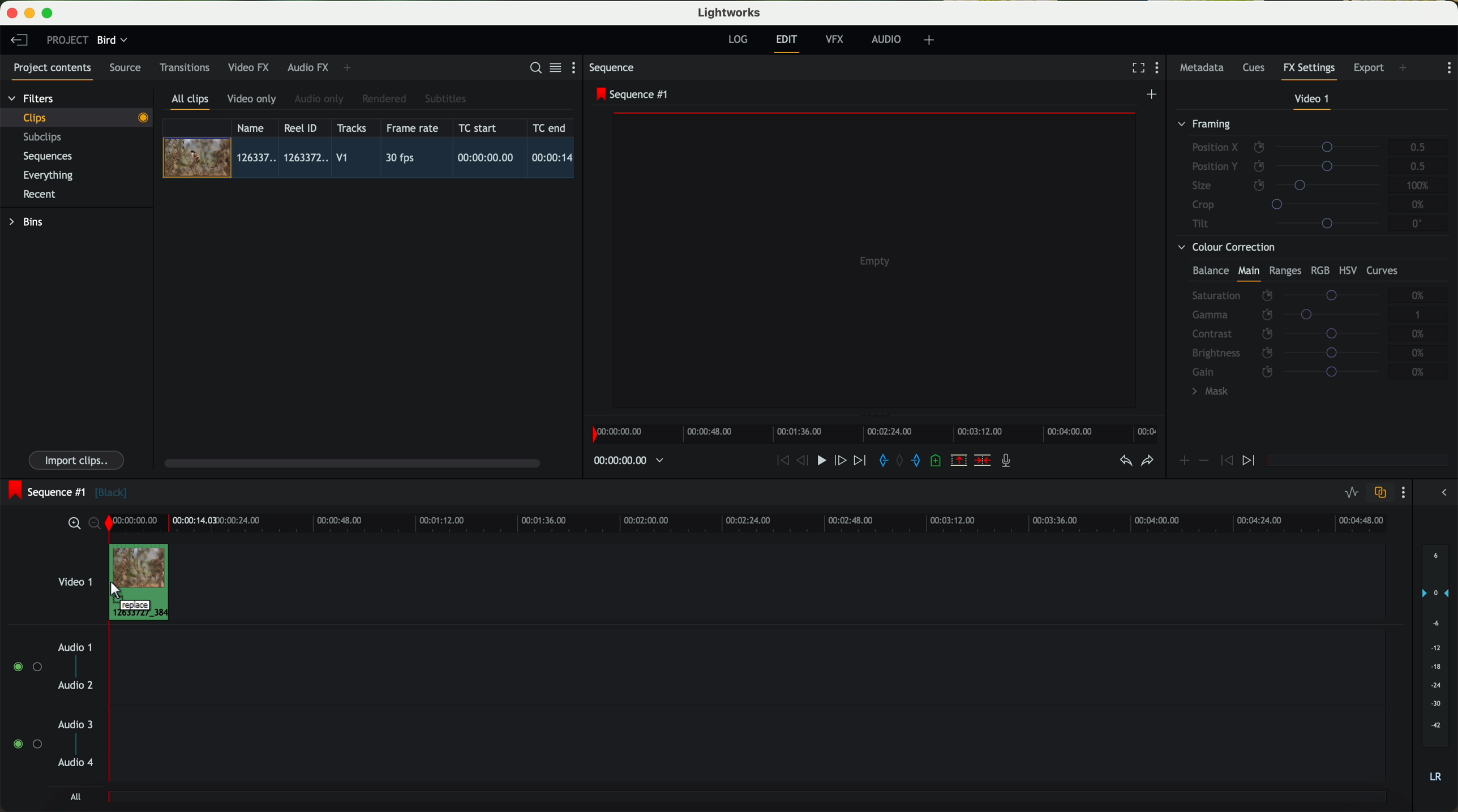 Image resolution: width=1458 pixels, height=812 pixels. Describe the element at coordinates (1448, 68) in the screenshot. I see `show settings menu` at that location.